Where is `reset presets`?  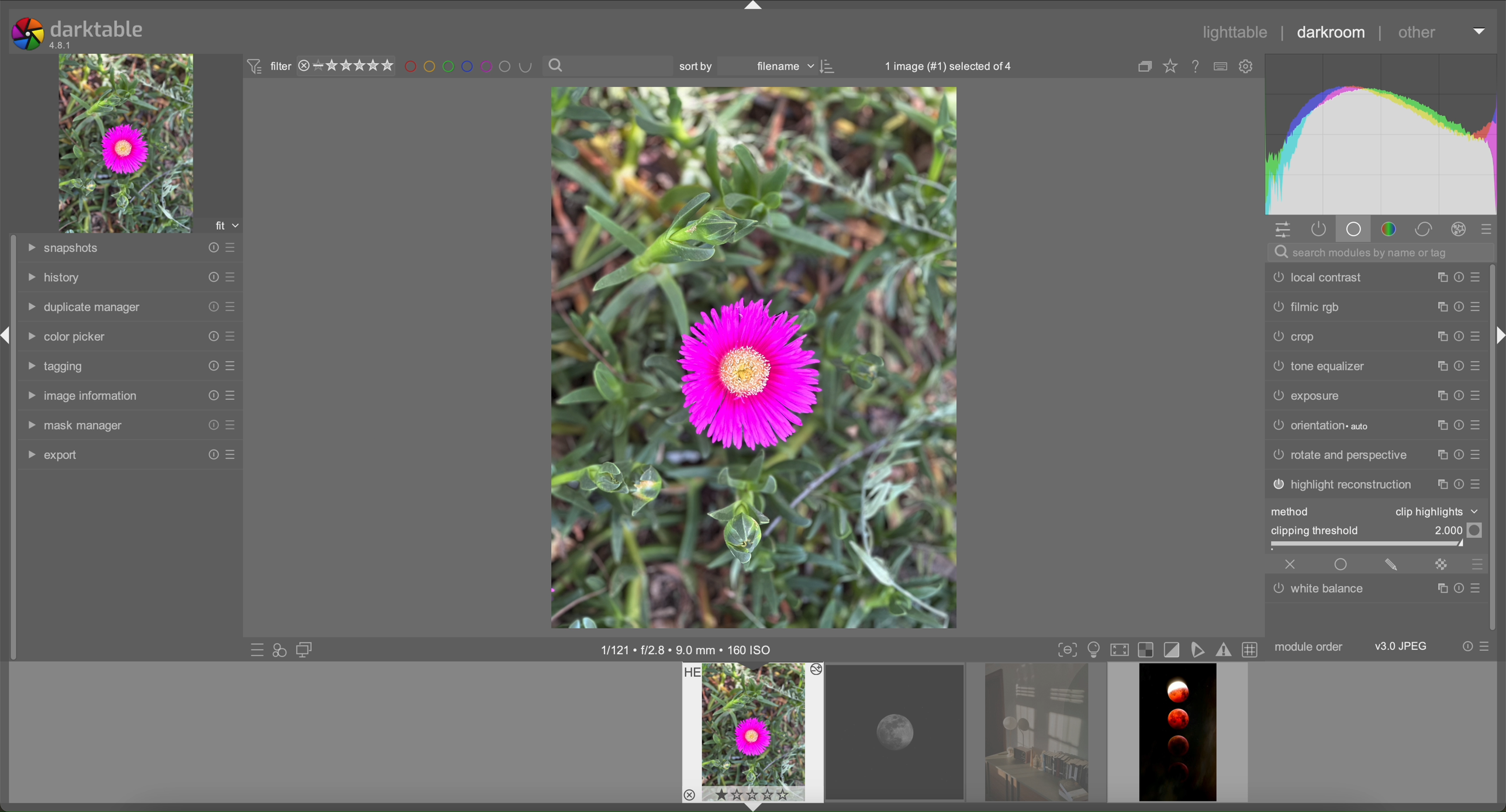
reset presets is located at coordinates (210, 248).